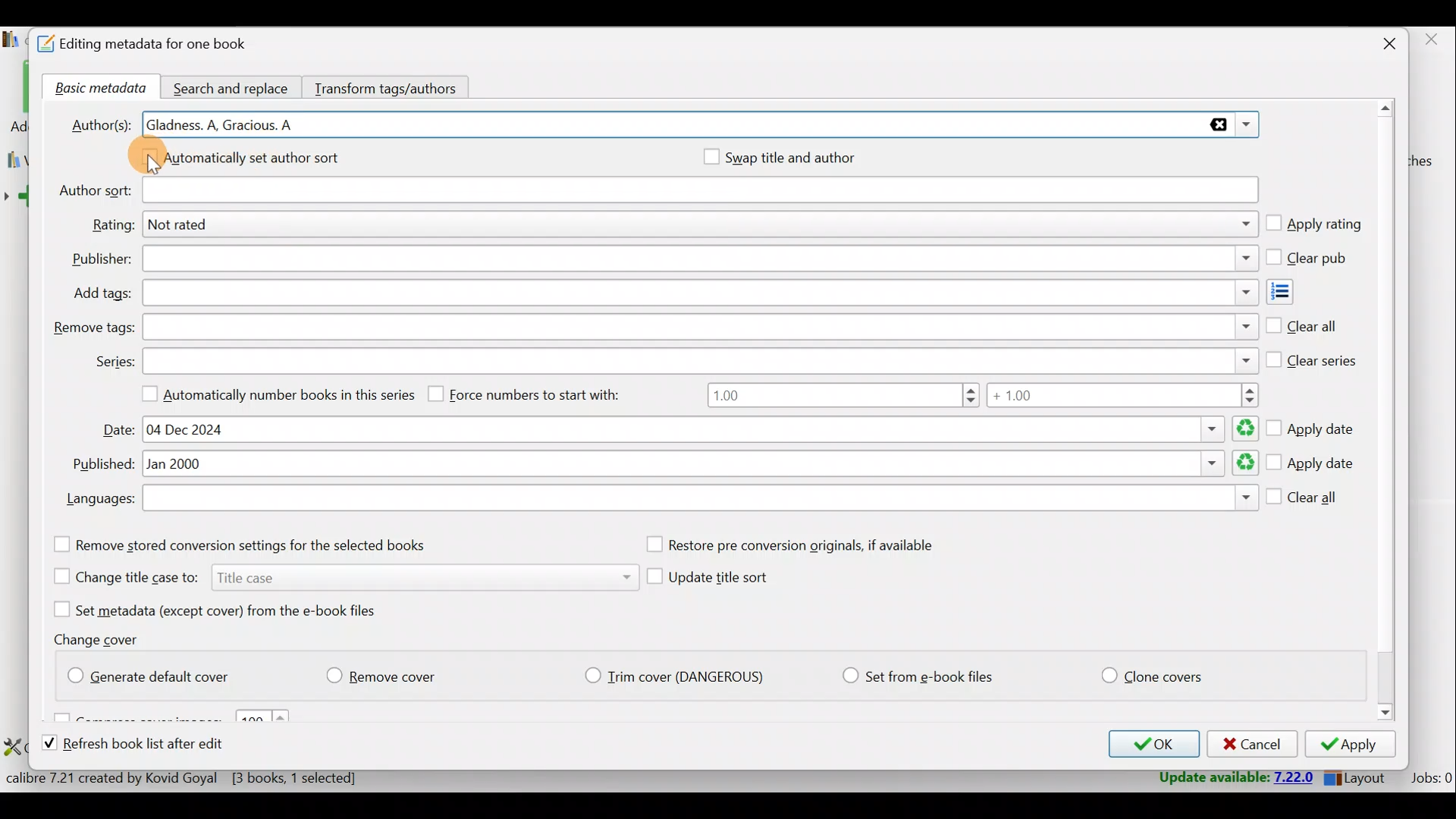 This screenshot has width=1456, height=819. What do you see at coordinates (917, 676) in the screenshot?
I see `Set from e-book files` at bounding box center [917, 676].